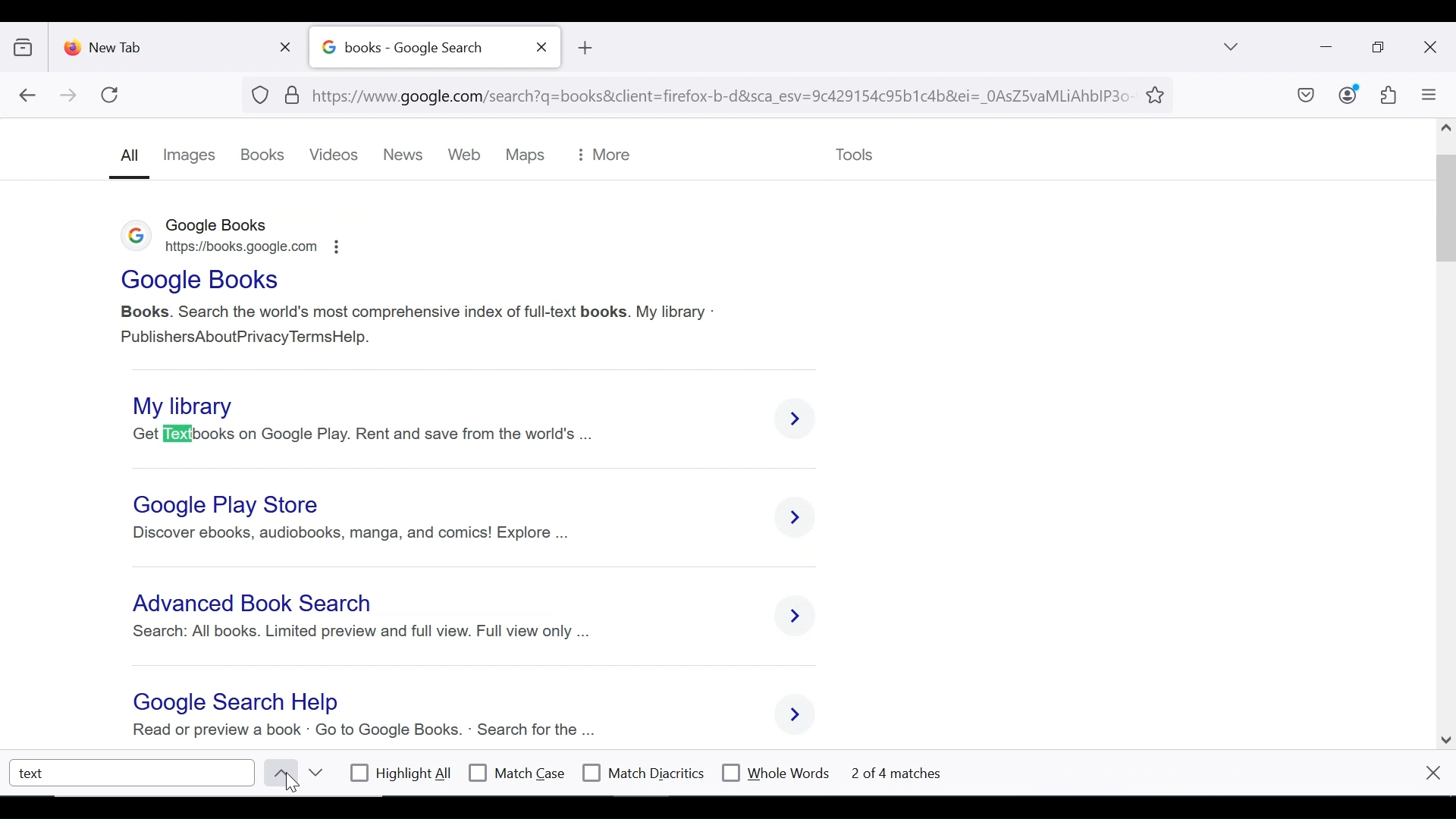 The height and width of the screenshot is (819, 1456). I want to click on logo, so click(130, 238).